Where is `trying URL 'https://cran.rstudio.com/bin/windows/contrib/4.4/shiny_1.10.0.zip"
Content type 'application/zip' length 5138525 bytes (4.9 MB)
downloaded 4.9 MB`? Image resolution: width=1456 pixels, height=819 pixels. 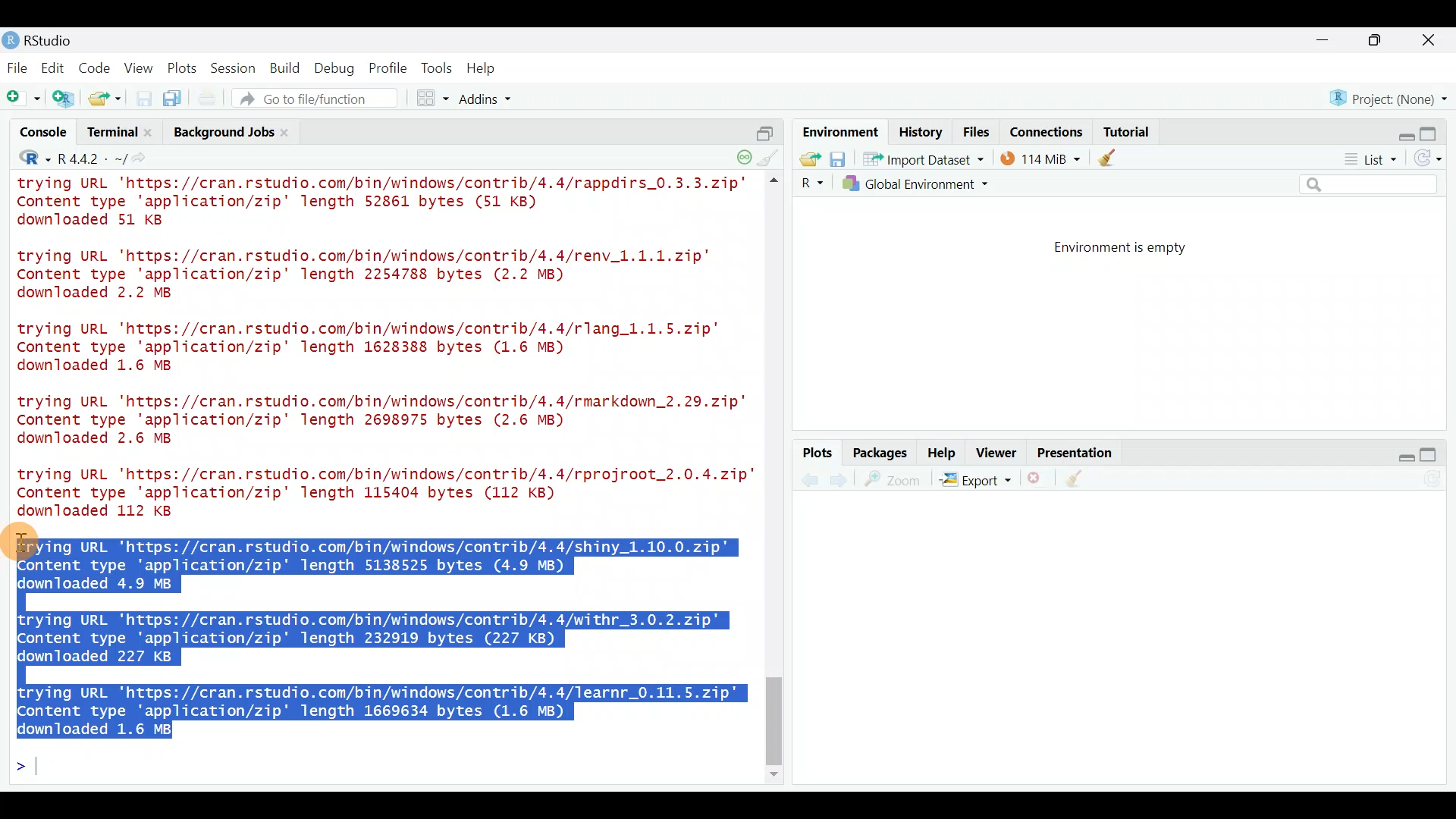 trying URL 'https://cran.rstudio.com/bin/windows/contrib/4.4/shiny_1.10.0.zip"
Content type 'application/zip' length 5138525 bytes (4.9 MB)
downloaded 4.9 MB is located at coordinates (386, 563).